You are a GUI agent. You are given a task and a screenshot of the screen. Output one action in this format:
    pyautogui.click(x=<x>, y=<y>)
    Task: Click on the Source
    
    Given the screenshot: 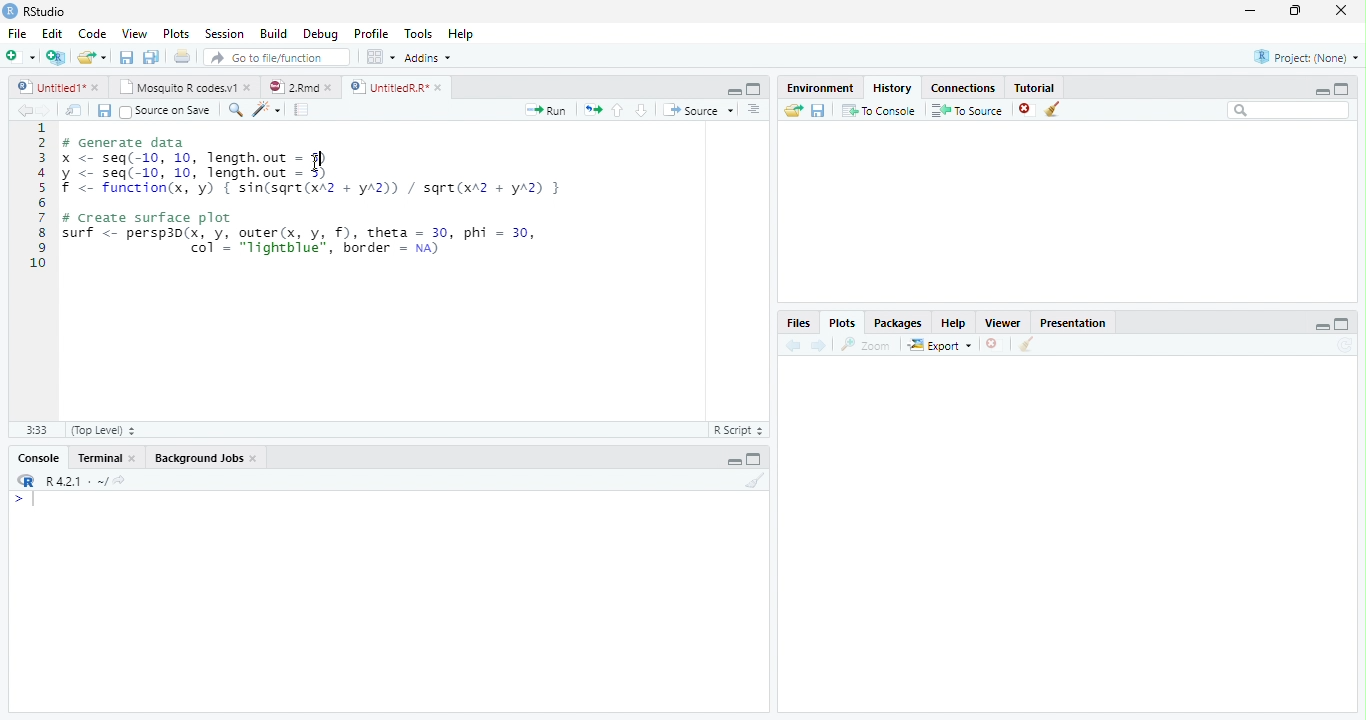 What is the action you would take?
    pyautogui.click(x=697, y=109)
    